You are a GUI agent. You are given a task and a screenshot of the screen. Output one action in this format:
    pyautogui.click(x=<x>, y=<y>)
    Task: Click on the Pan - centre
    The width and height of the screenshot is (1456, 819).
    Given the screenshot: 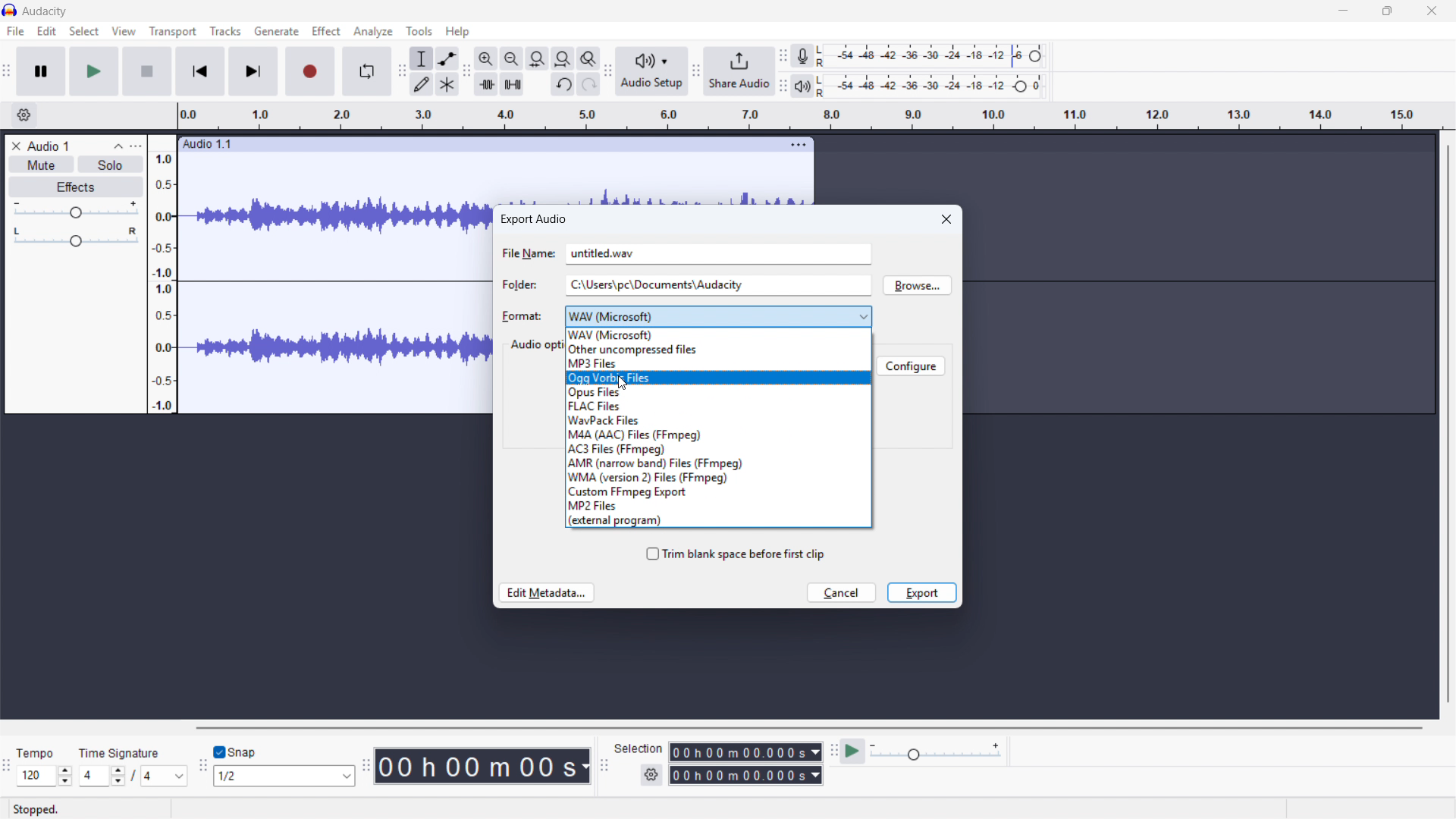 What is the action you would take?
    pyautogui.click(x=76, y=238)
    